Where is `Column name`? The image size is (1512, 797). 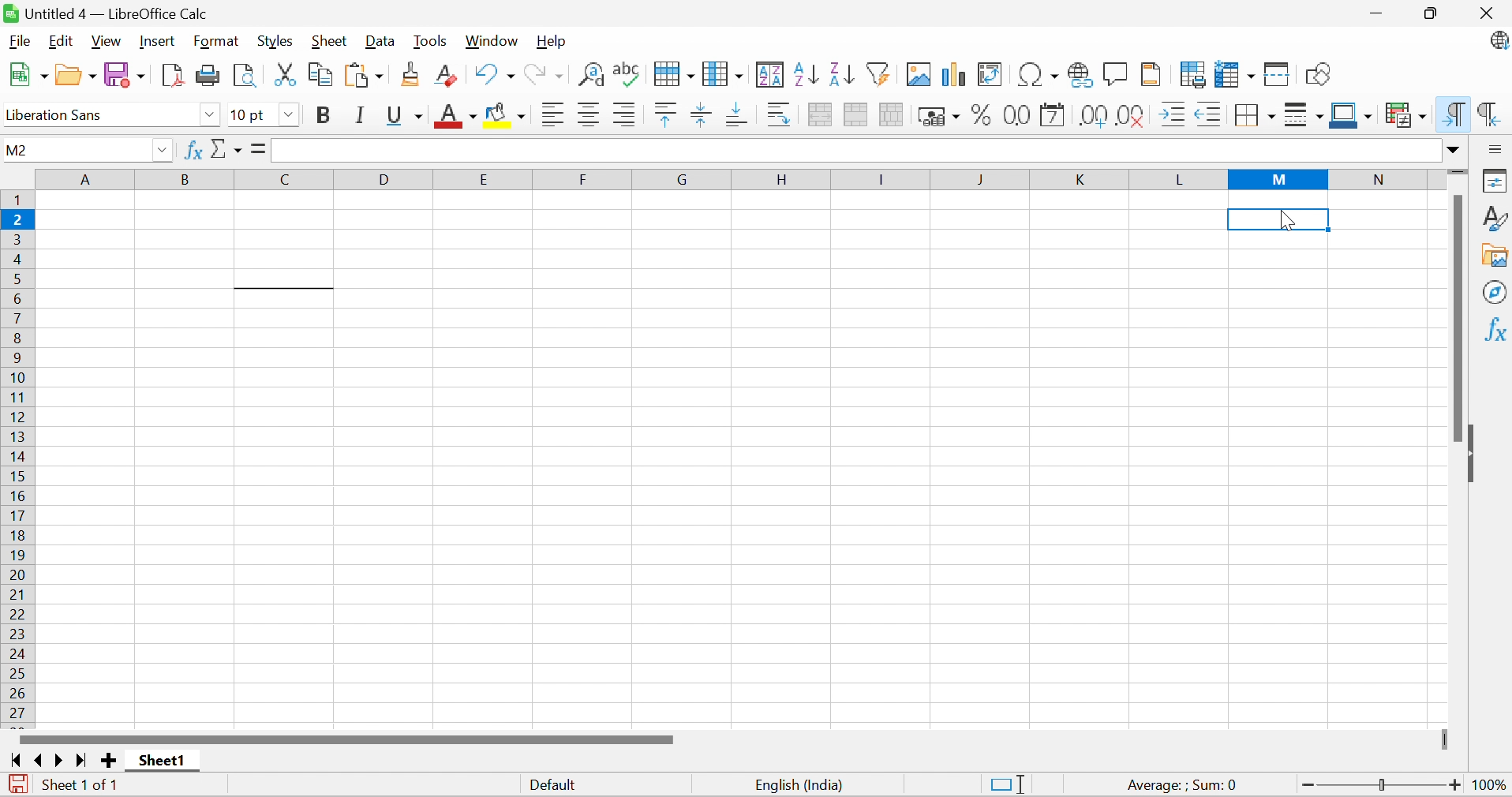 Column name is located at coordinates (732, 178).